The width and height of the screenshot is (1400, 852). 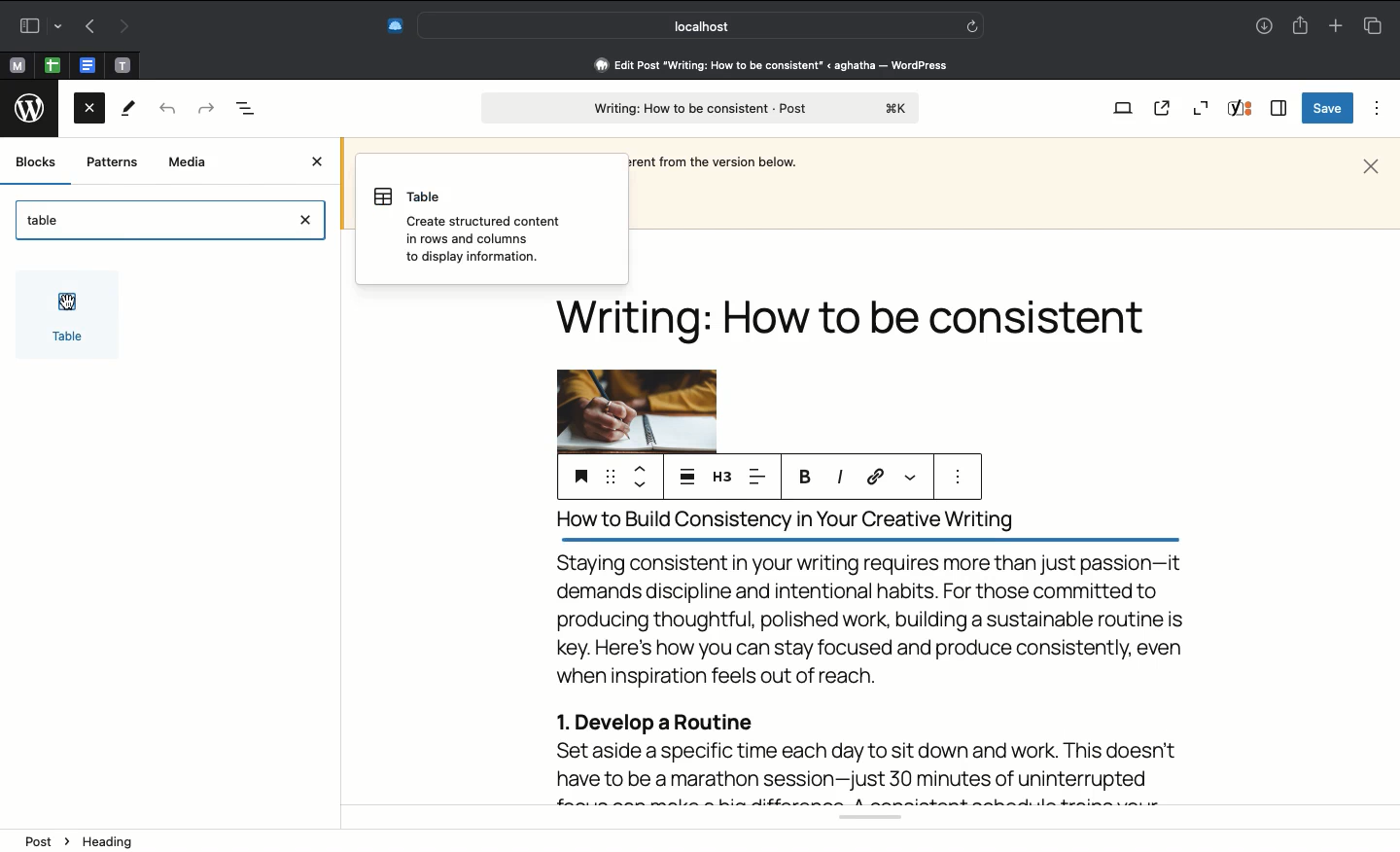 What do you see at coordinates (189, 163) in the screenshot?
I see `Media` at bounding box center [189, 163].